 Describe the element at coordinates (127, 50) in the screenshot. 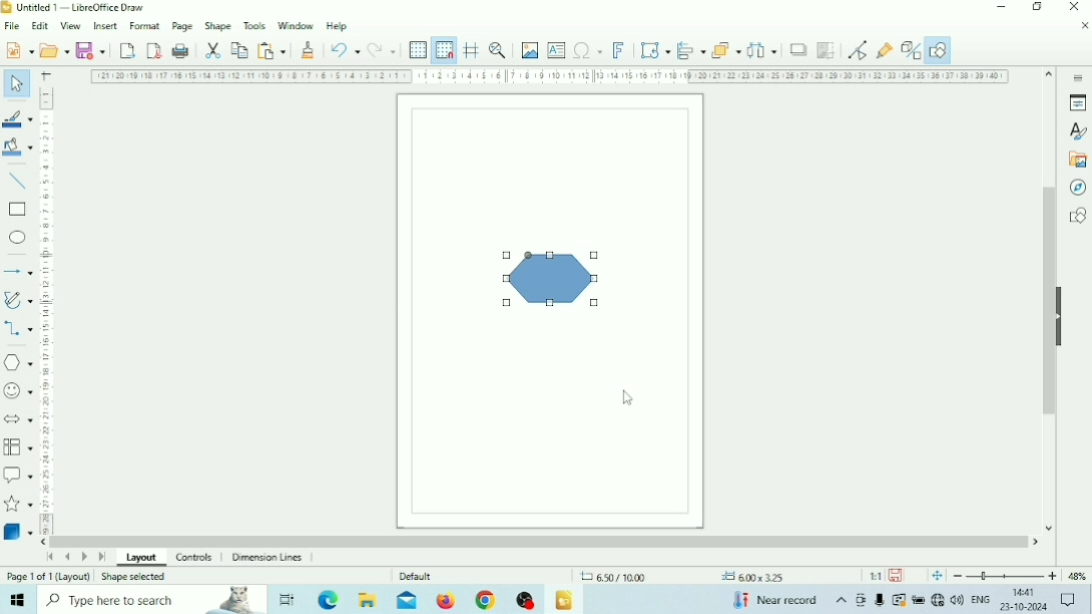

I see `Export` at that location.